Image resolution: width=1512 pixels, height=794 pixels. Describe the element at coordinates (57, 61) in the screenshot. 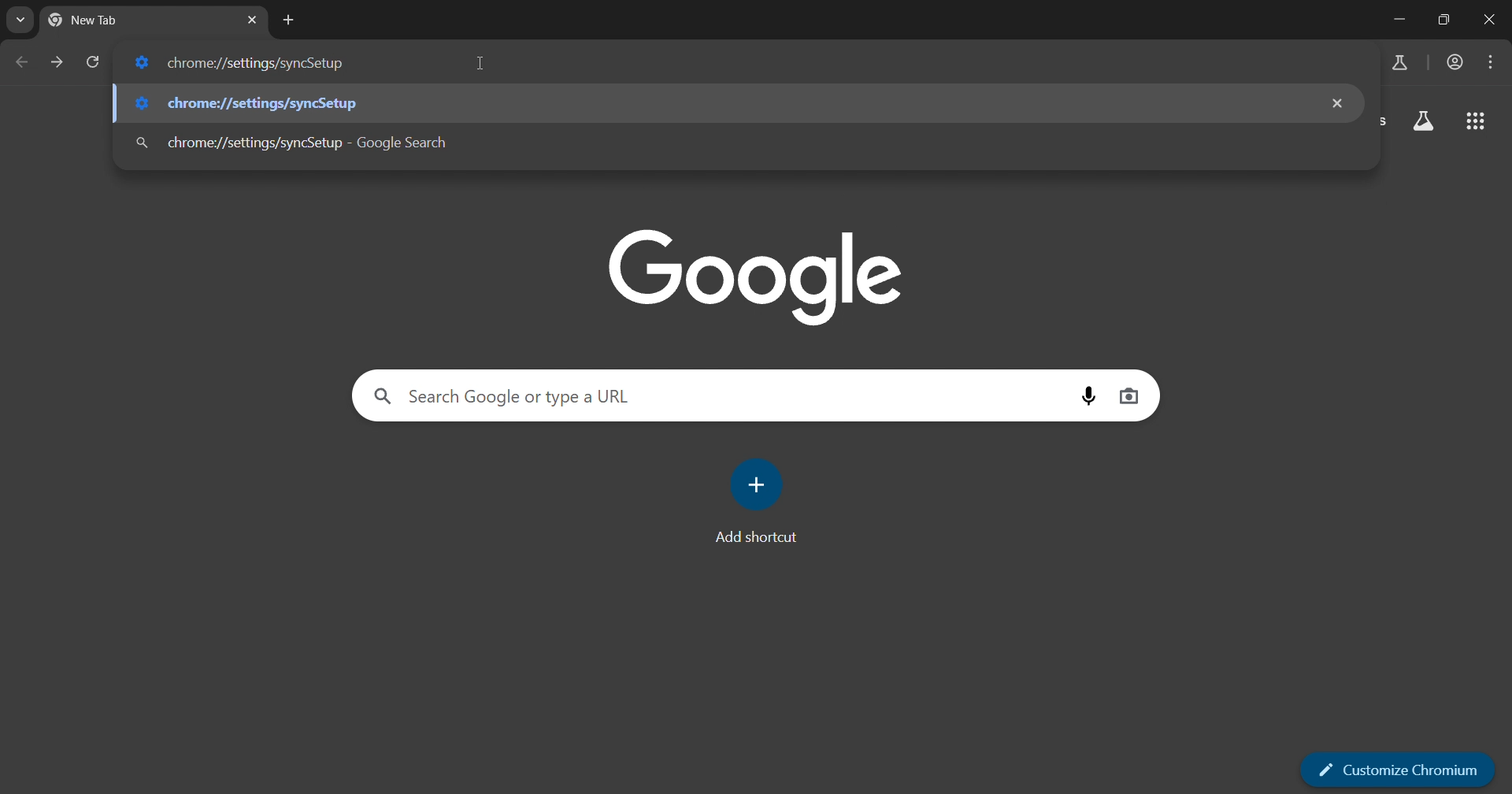

I see `go forward page` at that location.